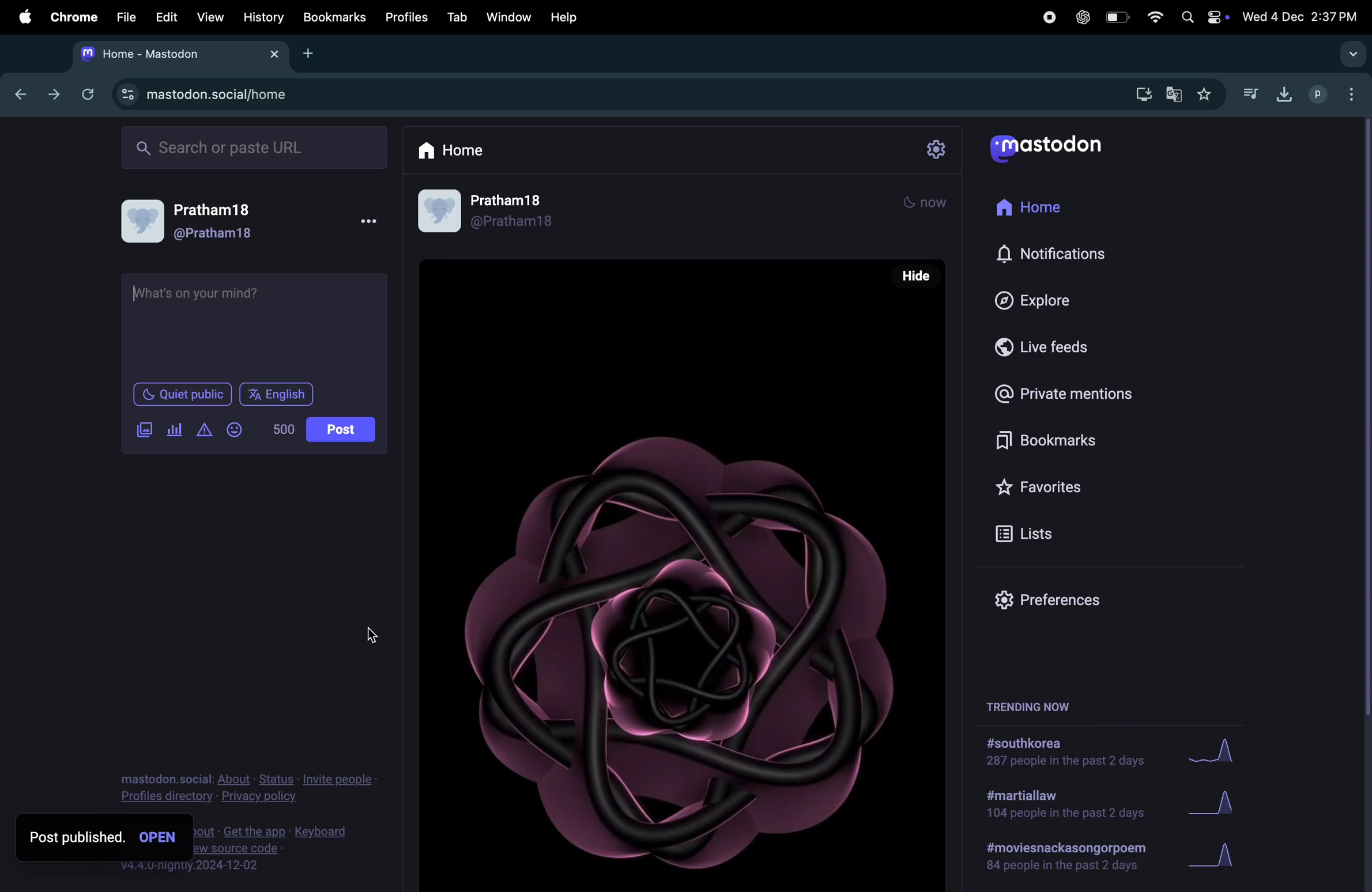  What do you see at coordinates (1067, 805) in the screenshot?
I see `#martial flow` at bounding box center [1067, 805].